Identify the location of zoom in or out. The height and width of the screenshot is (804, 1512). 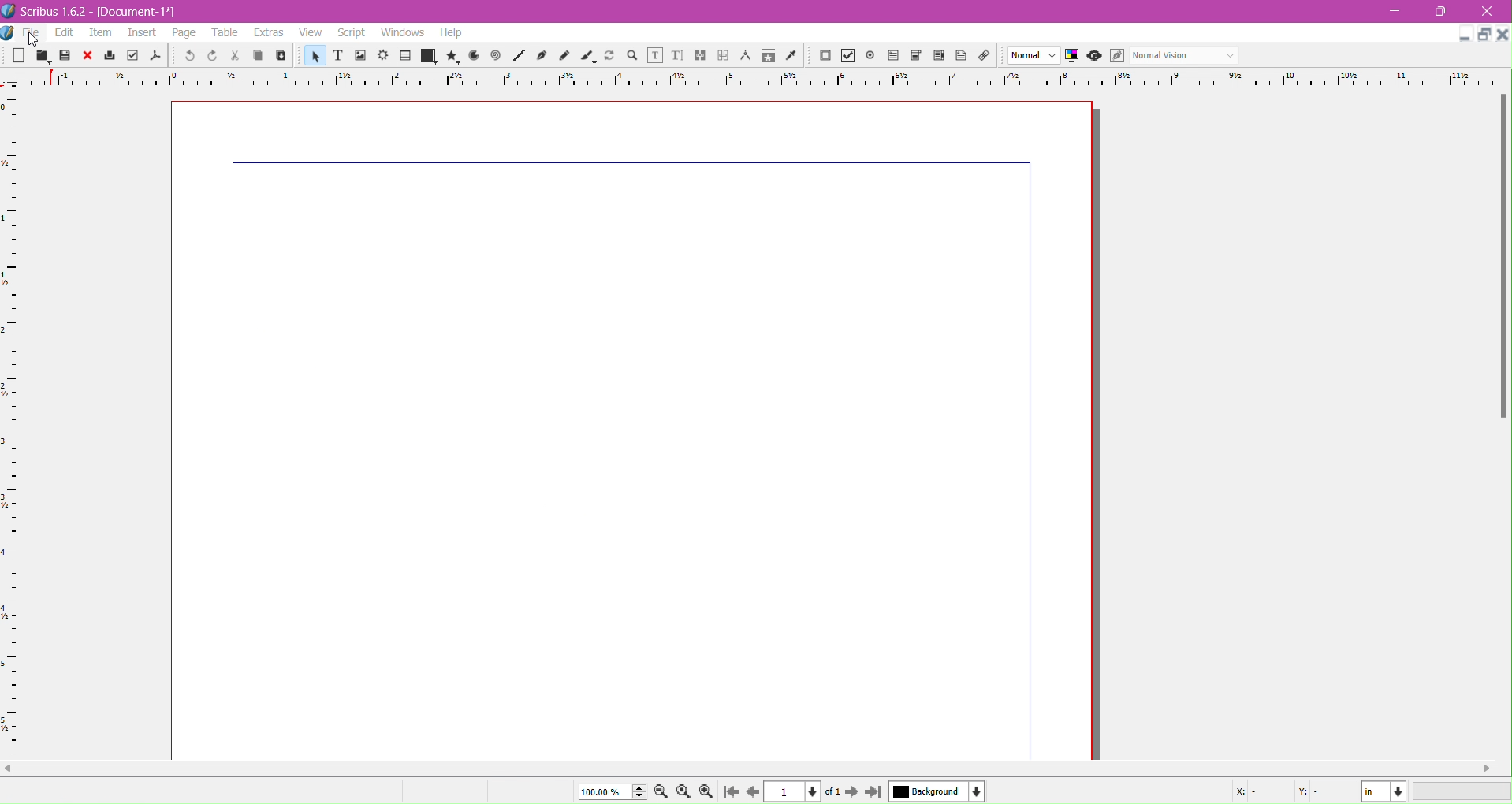
(634, 57).